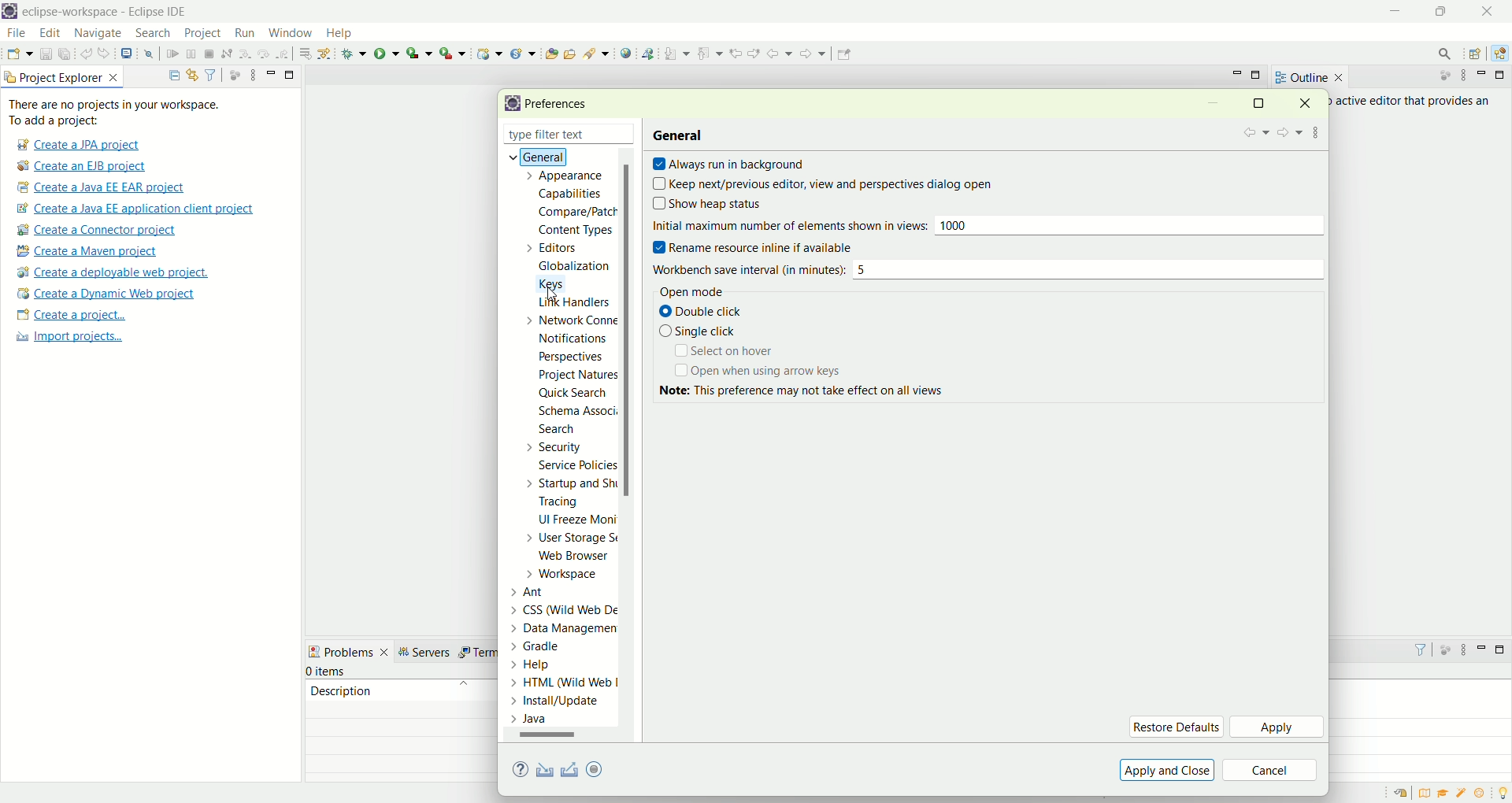 The height and width of the screenshot is (803, 1512). Describe the element at coordinates (1462, 653) in the screenshot. I see `view menu` at that location.